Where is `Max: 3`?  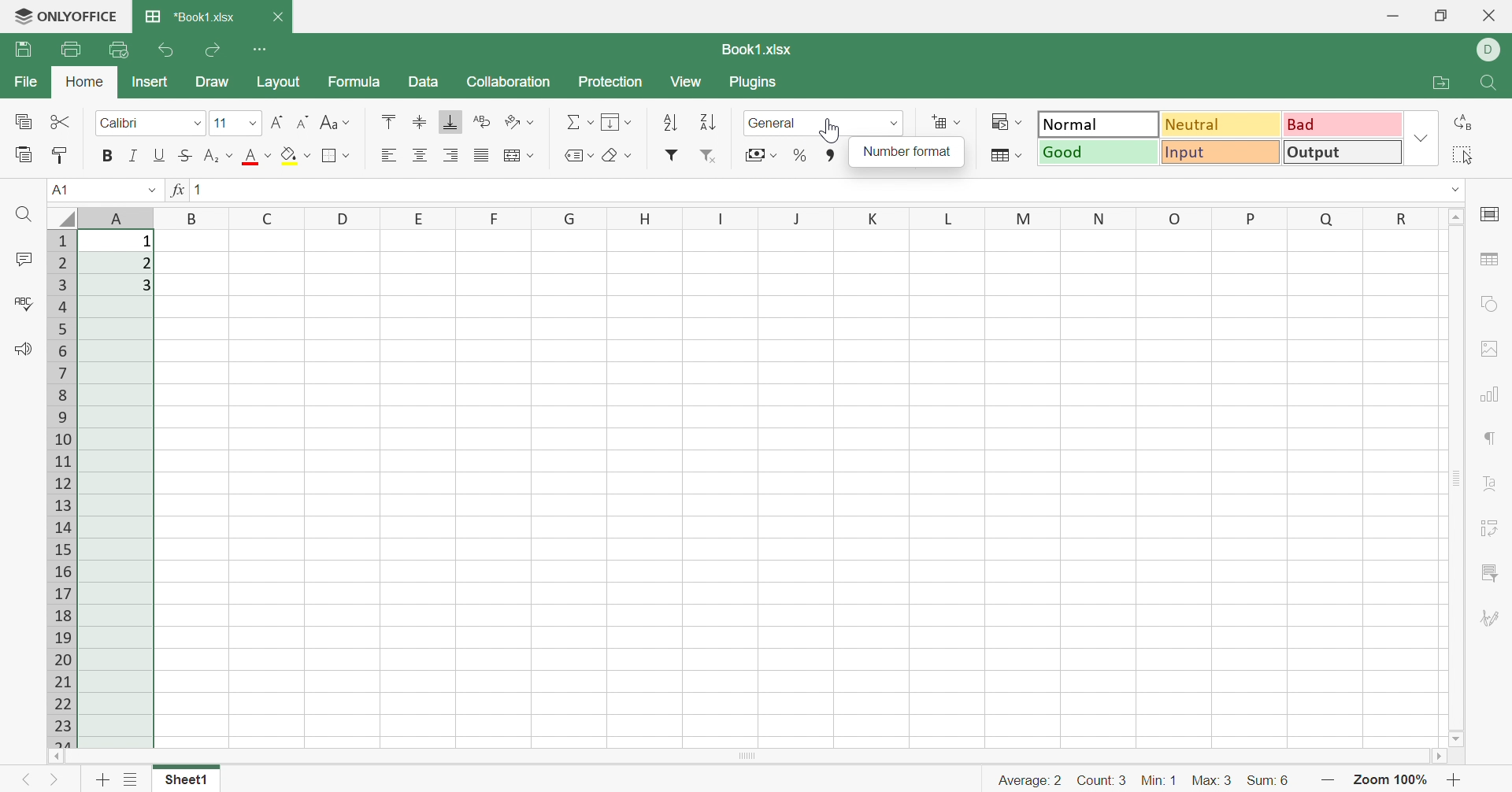 Max: 3 is located at coordinates (1214, 781).